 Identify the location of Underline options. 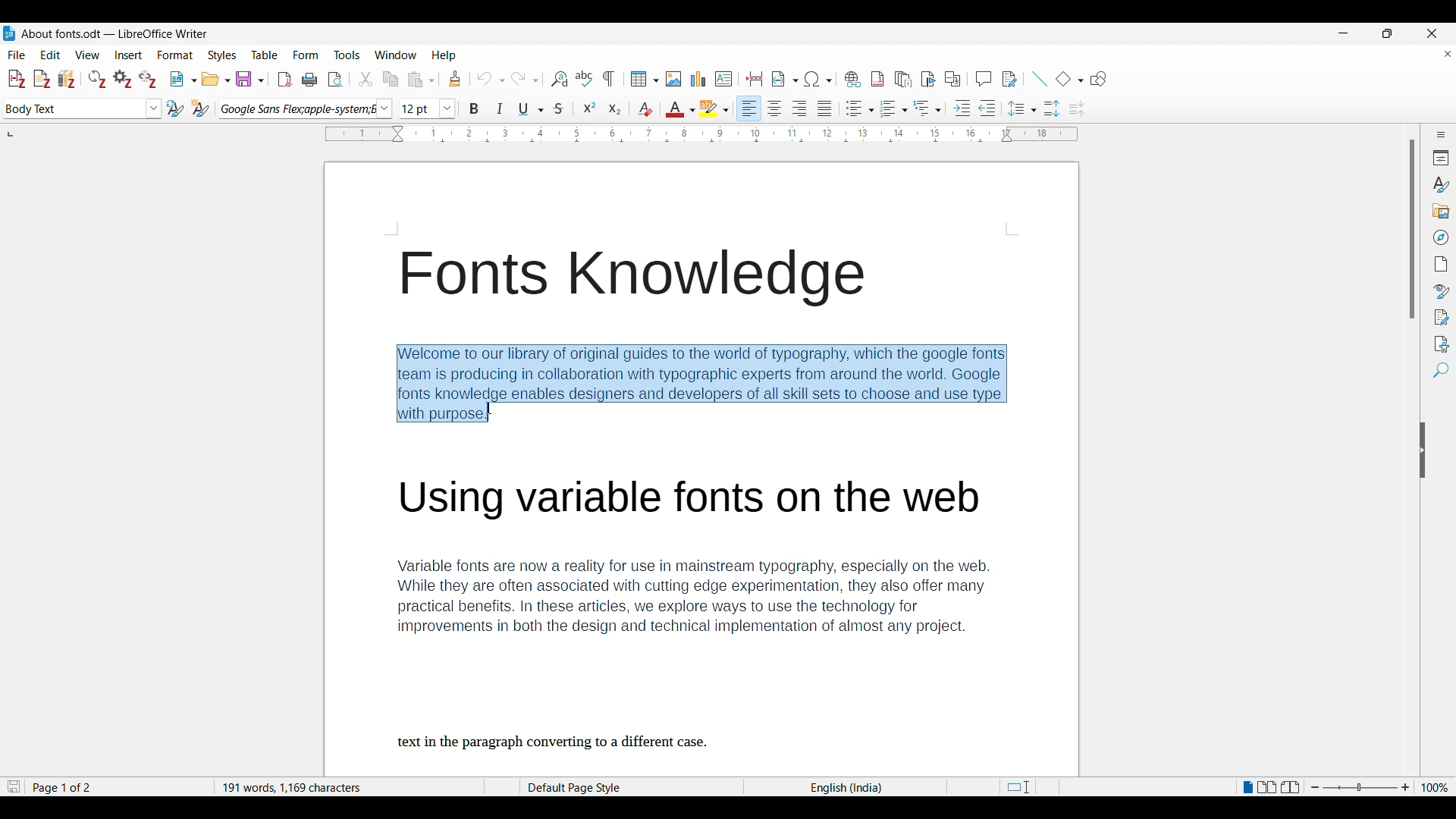
(531, 109).